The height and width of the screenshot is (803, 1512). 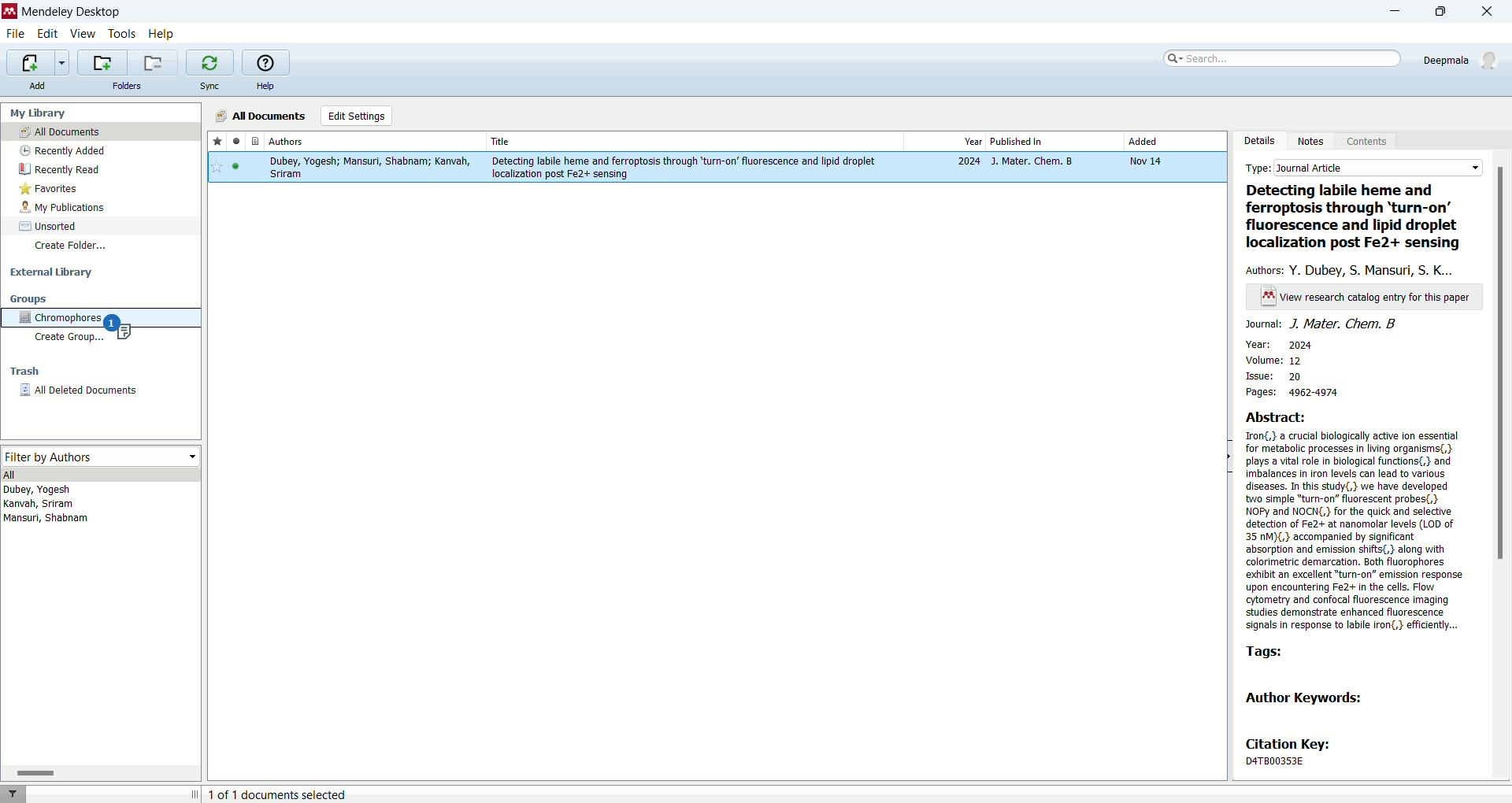 What do you see at coordinates (253, 142) in the screenshot?
I see `documents` at bounding box center [253, 142].